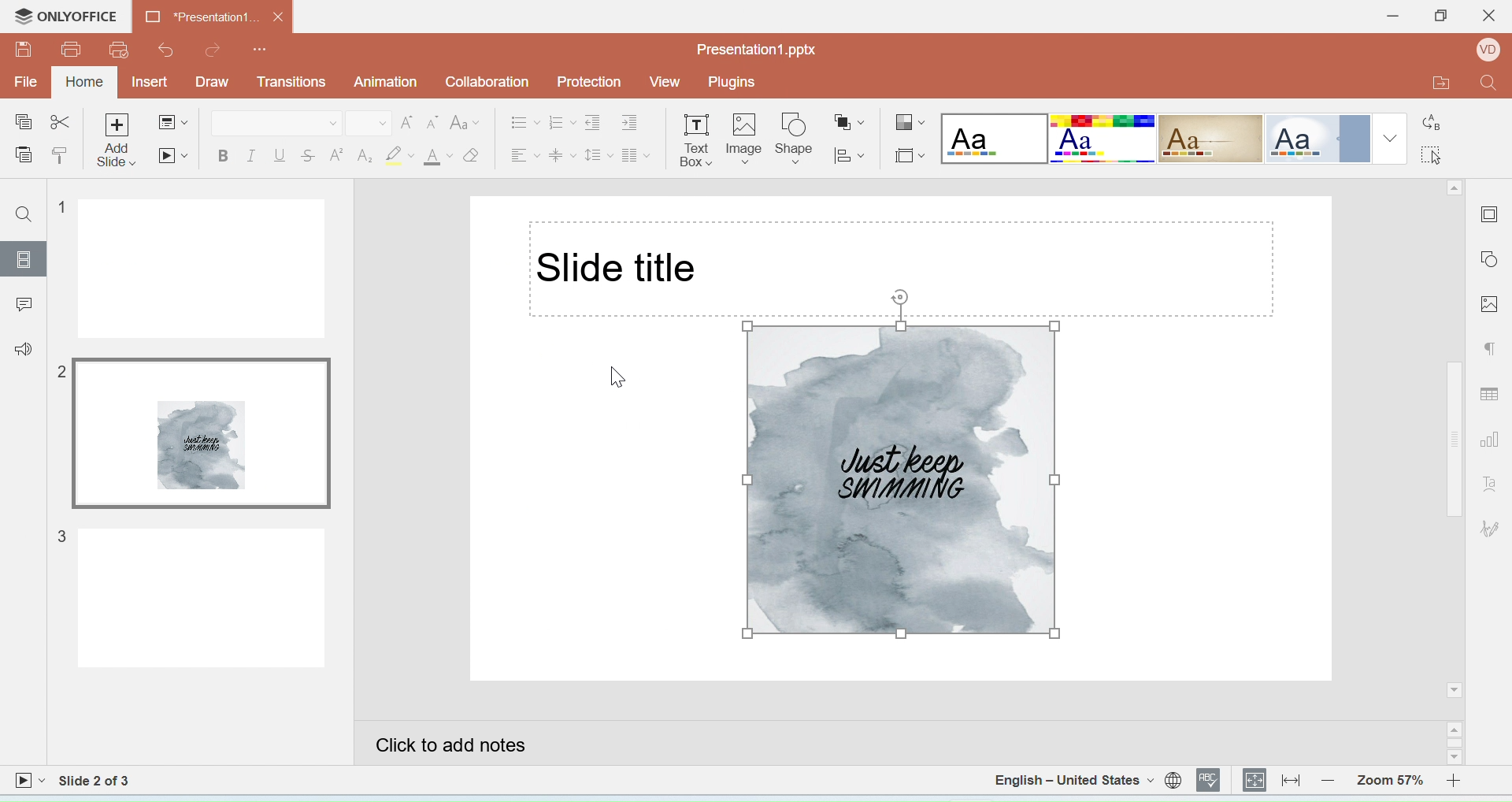  Describe the element at coordinates (1488, 20) in the screenshot. I see `Close` at that location.